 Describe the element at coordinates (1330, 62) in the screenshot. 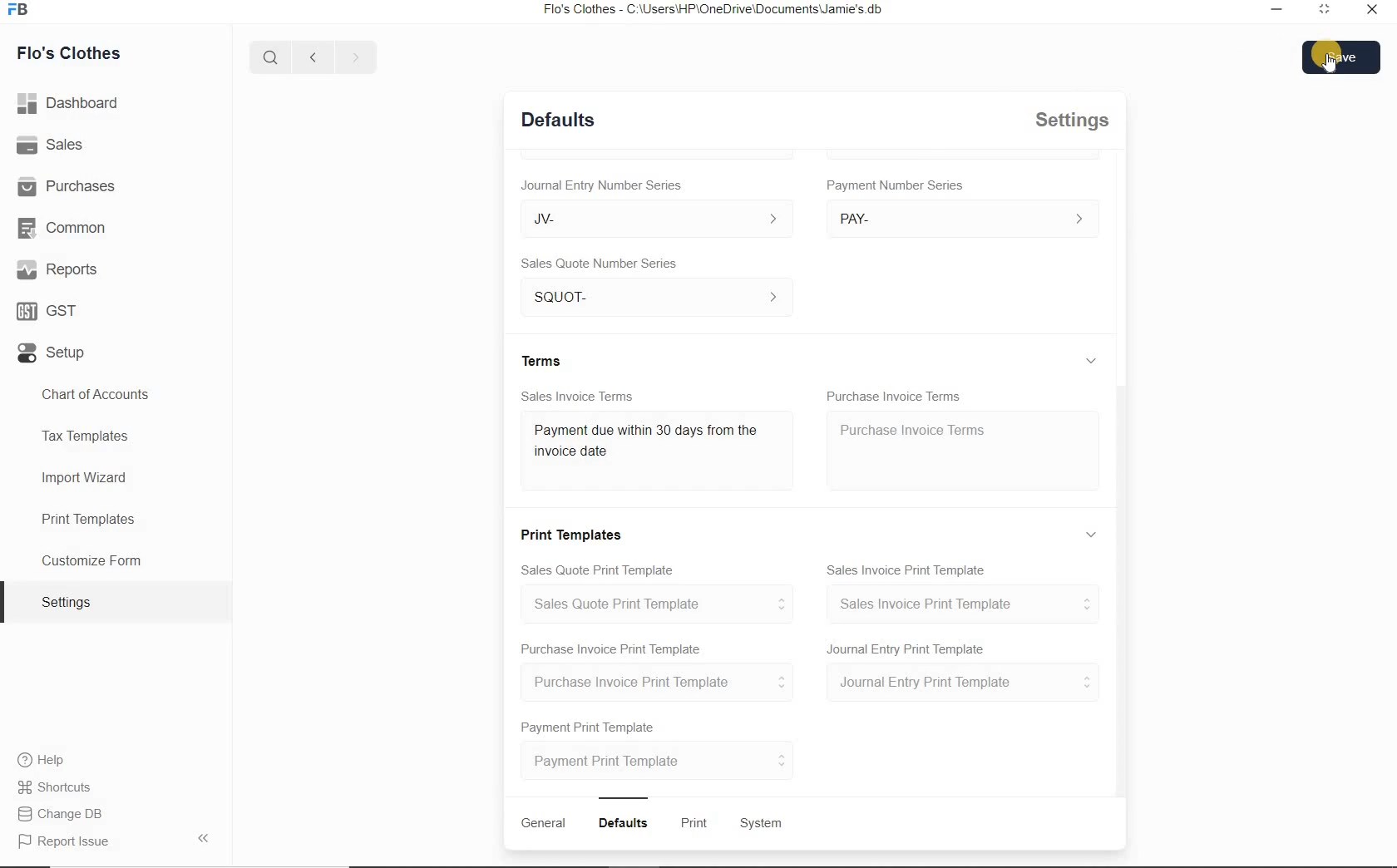

I see `Cursor` at that location.